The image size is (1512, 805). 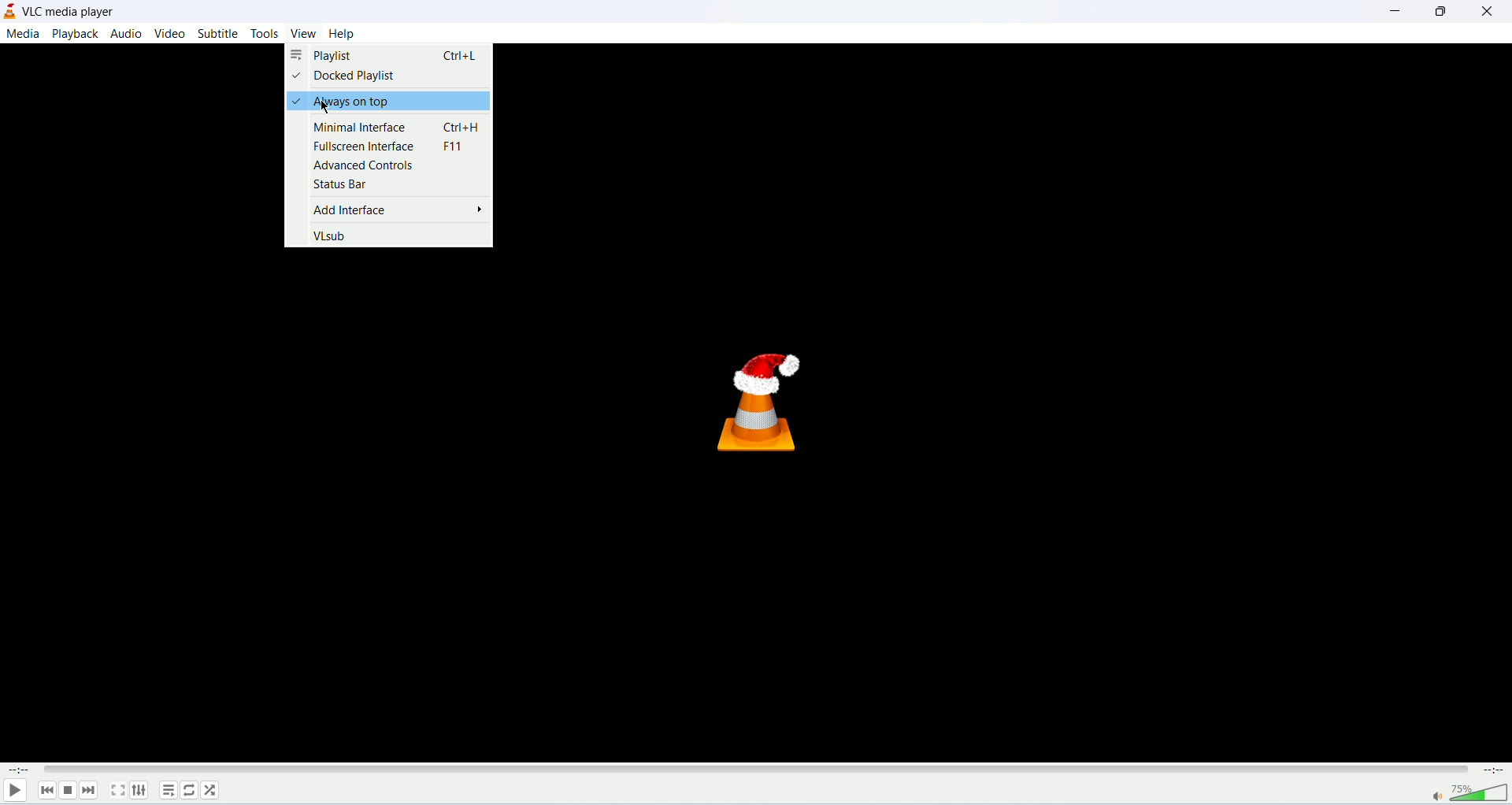 I want to click on click to toggle between loop all, loop one or loop none, so click(x=190, y=792).